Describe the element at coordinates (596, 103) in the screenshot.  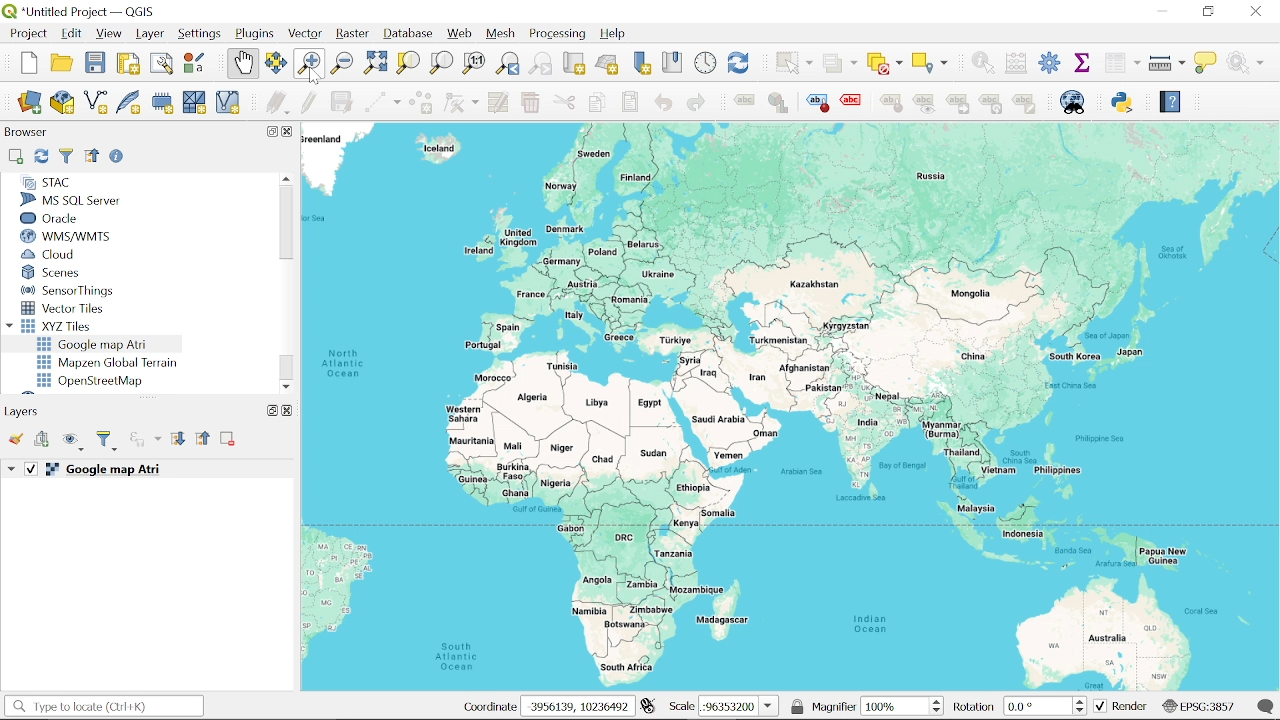
I see `Copy feature` at that location.